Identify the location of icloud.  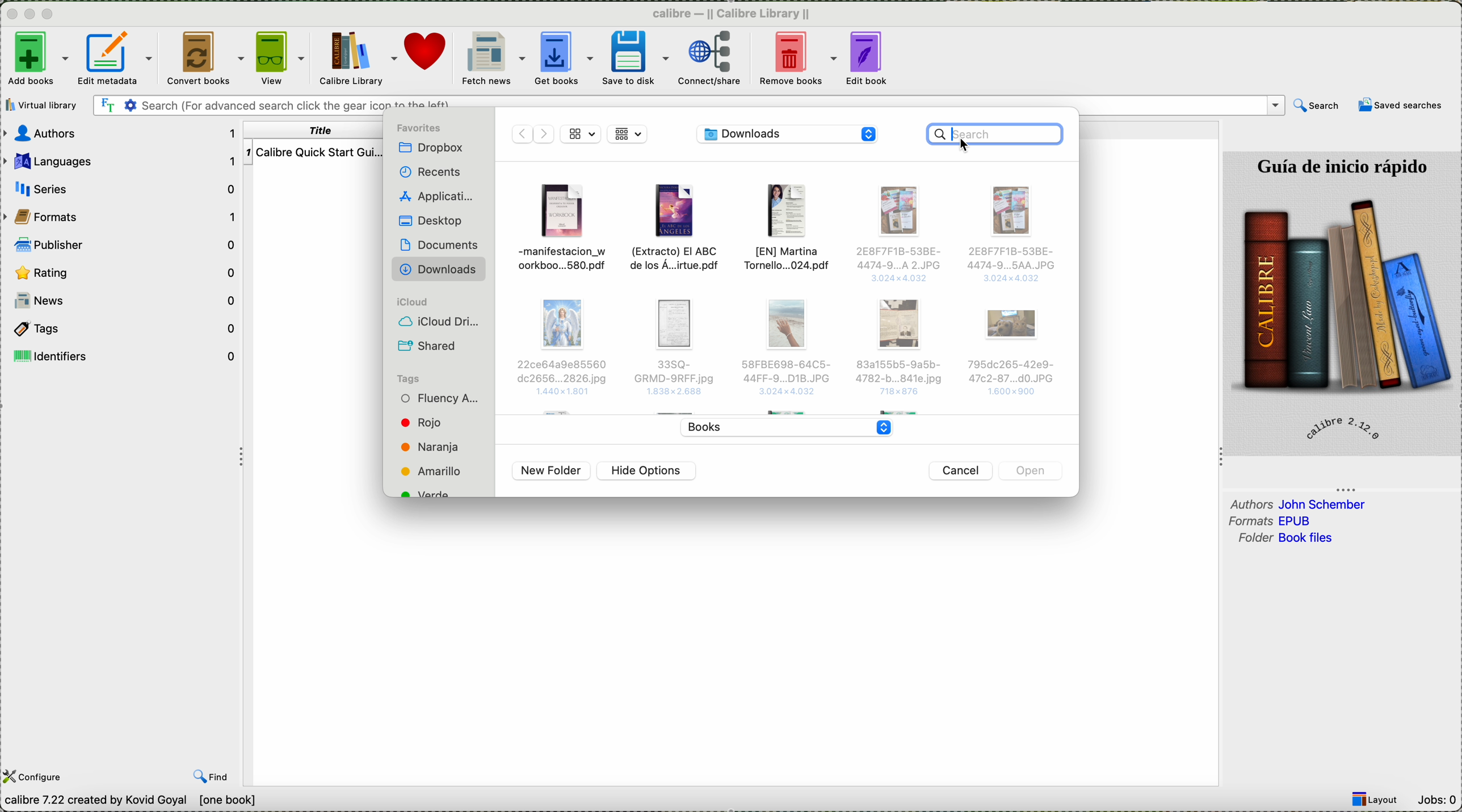
(410, 301).